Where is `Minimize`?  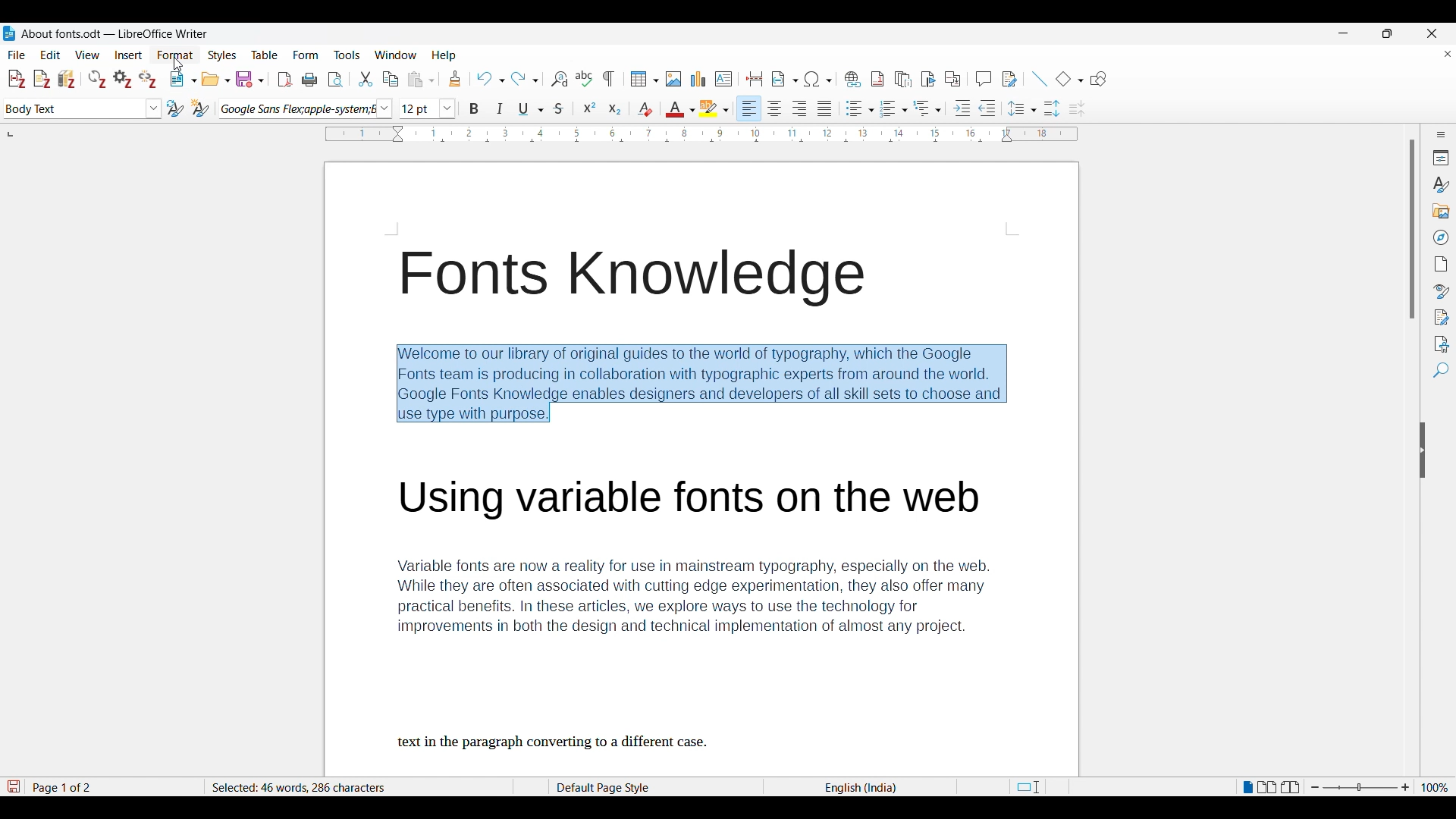 Minimize is located at coordinates (1344, 33).